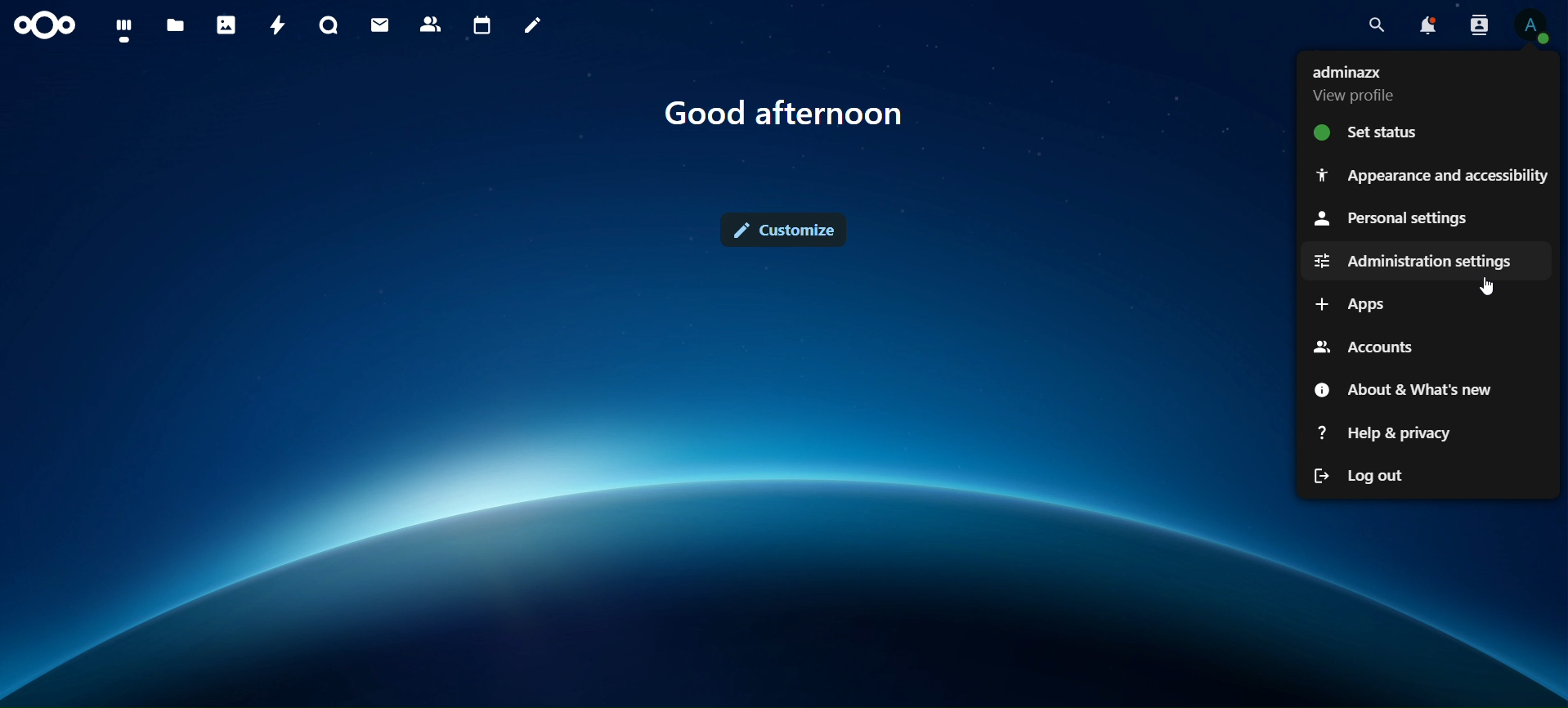 The width and height of the screenshot is (1568, 708). Describe the element at coordinates (1364, 477) in the screenshot. I see `log out` at that location.